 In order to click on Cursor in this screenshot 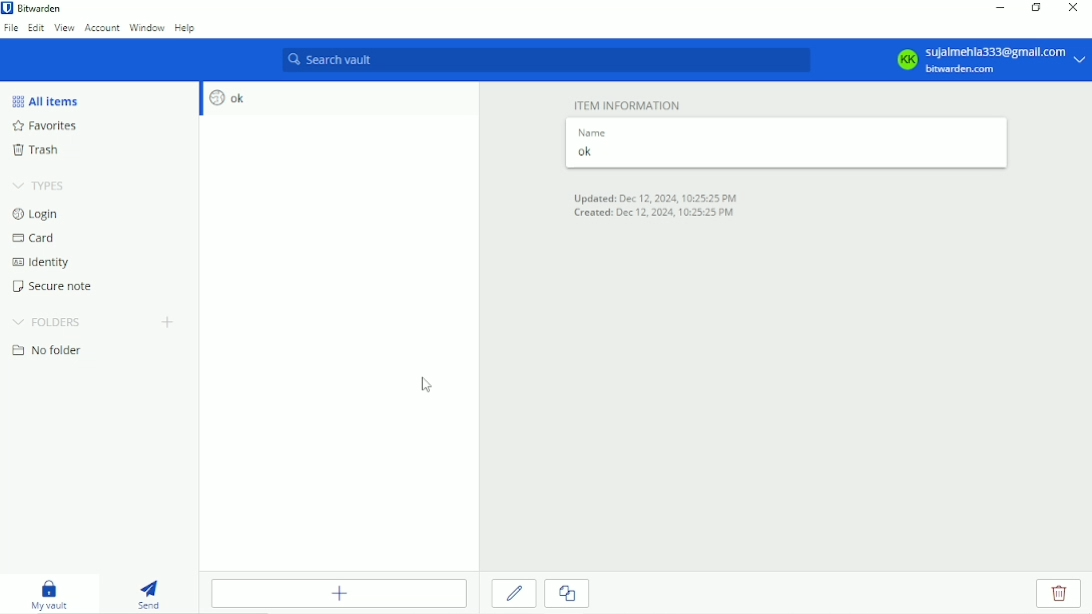, I will do `click(423, 384)`.